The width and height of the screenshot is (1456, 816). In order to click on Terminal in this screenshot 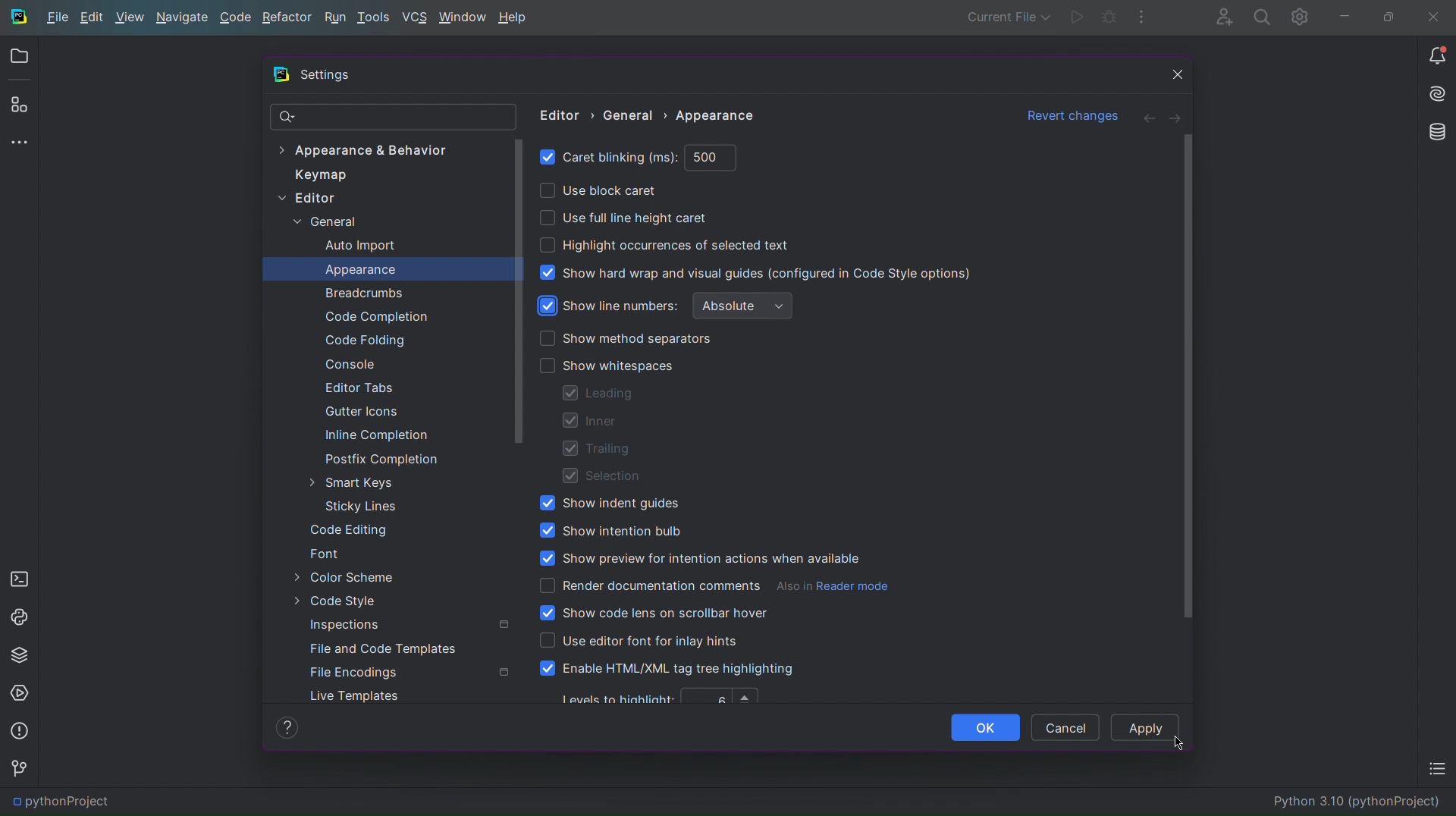, I will do `click(19, 576)`.